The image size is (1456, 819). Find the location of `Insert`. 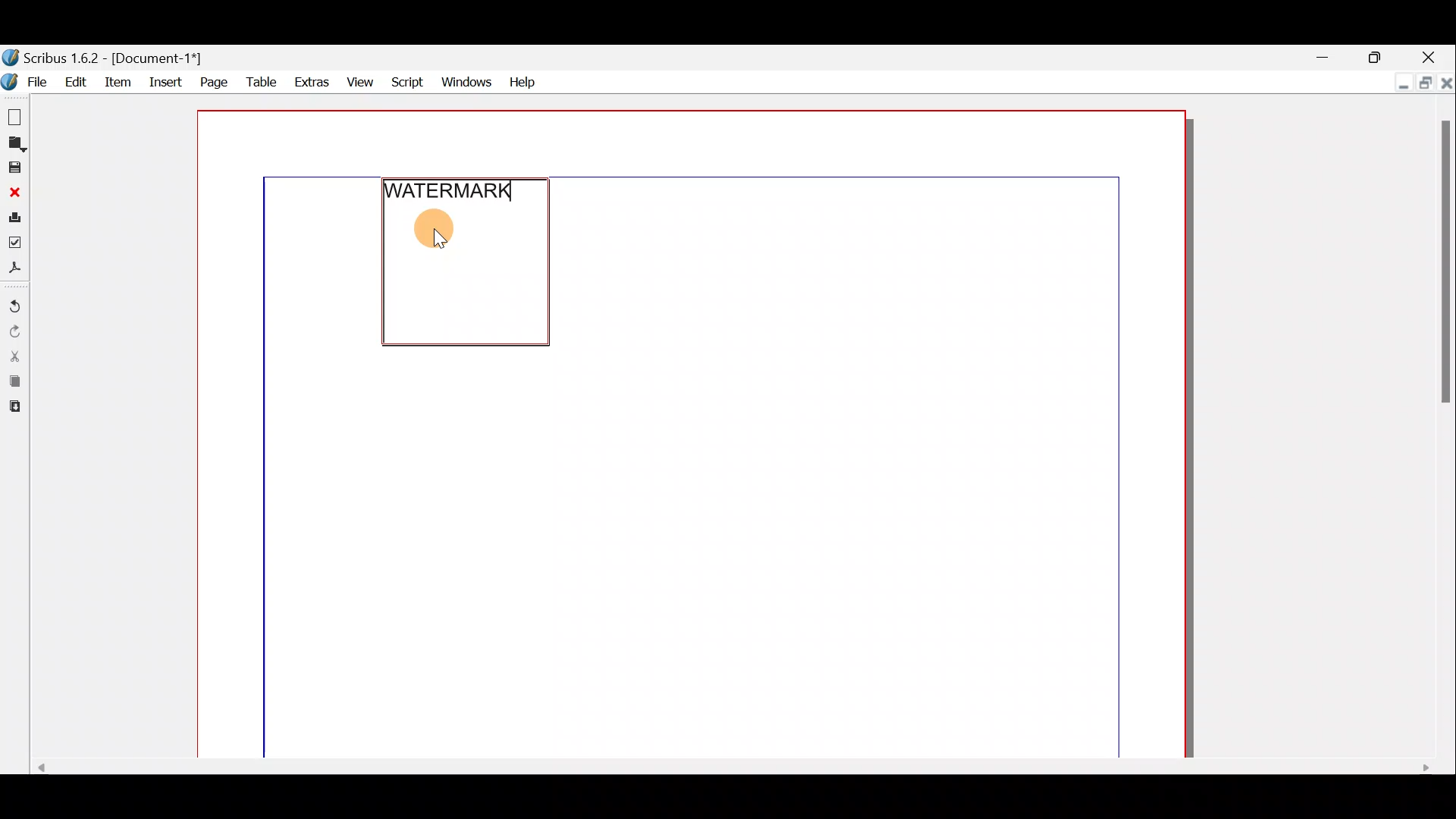

Insert is located at coordinates (166, 80).